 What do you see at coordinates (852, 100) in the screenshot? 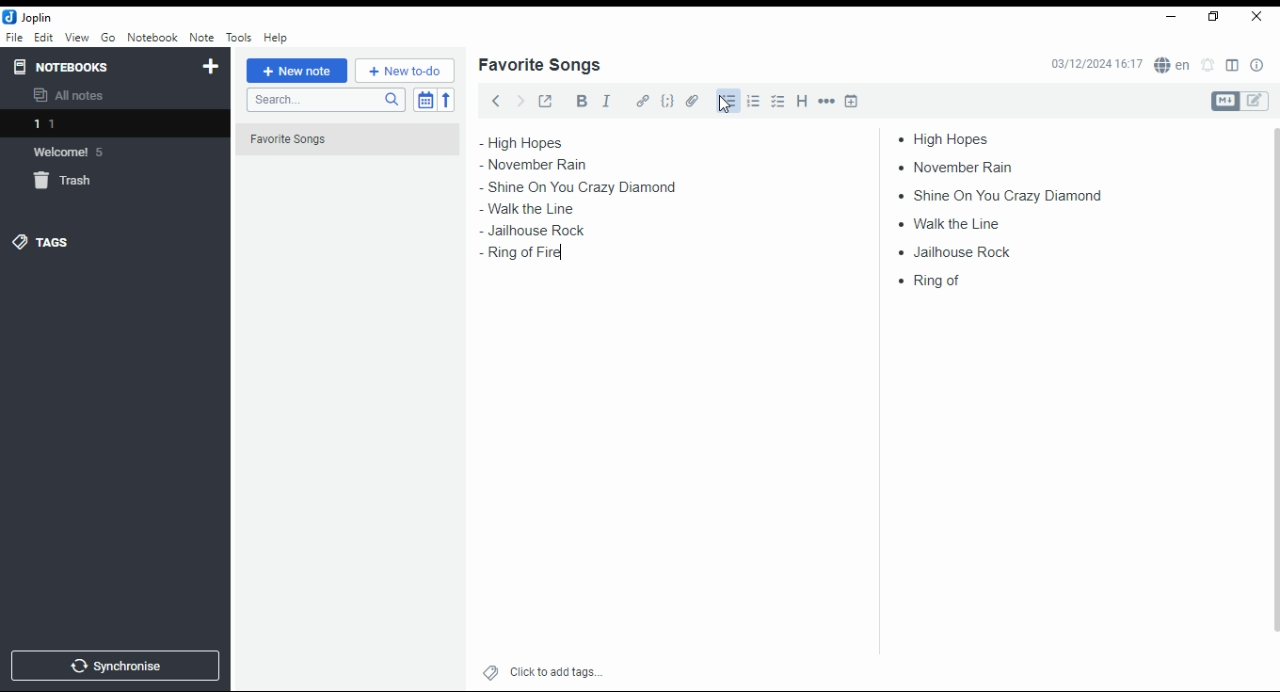
I see `insert time` at bounding box center [852, 100].